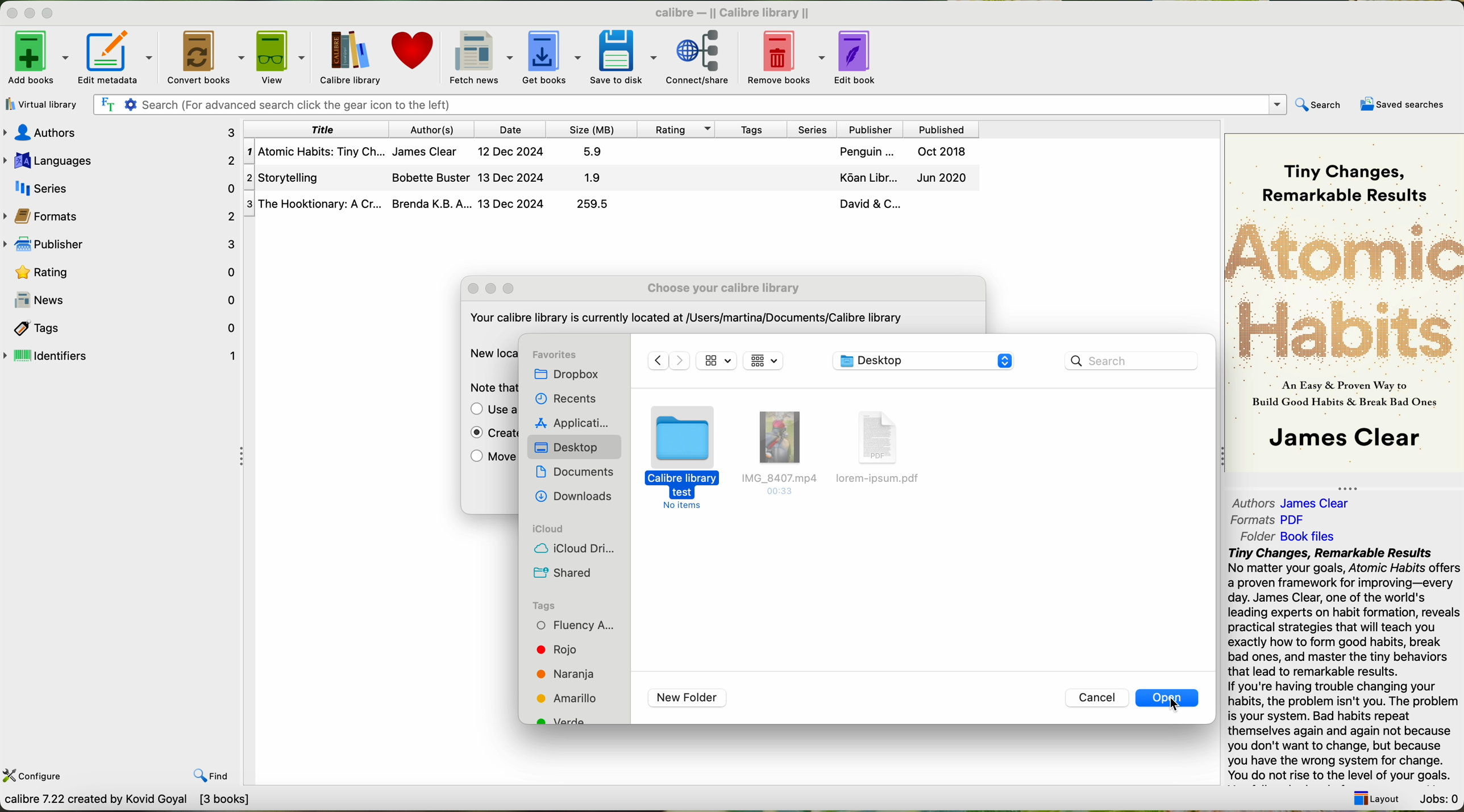 Image resolution: width=1464 pixels, height=812 pixels. What do you see at coordinates (1317, 106) in the screenshot?
I see `search` at bounding box center [1317, 106].